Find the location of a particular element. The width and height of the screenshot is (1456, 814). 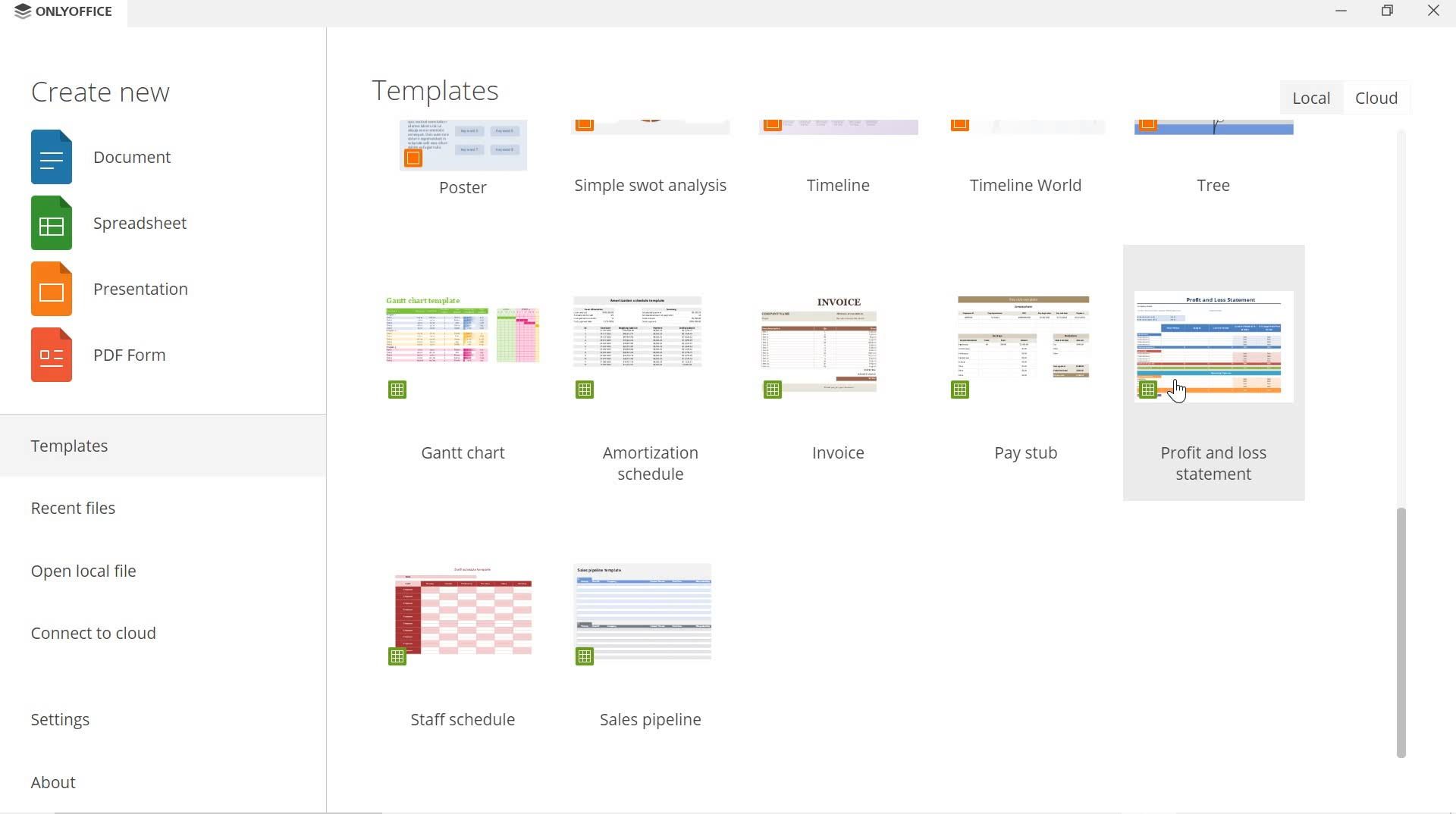

Template design is located at coordinates (1023, 347).